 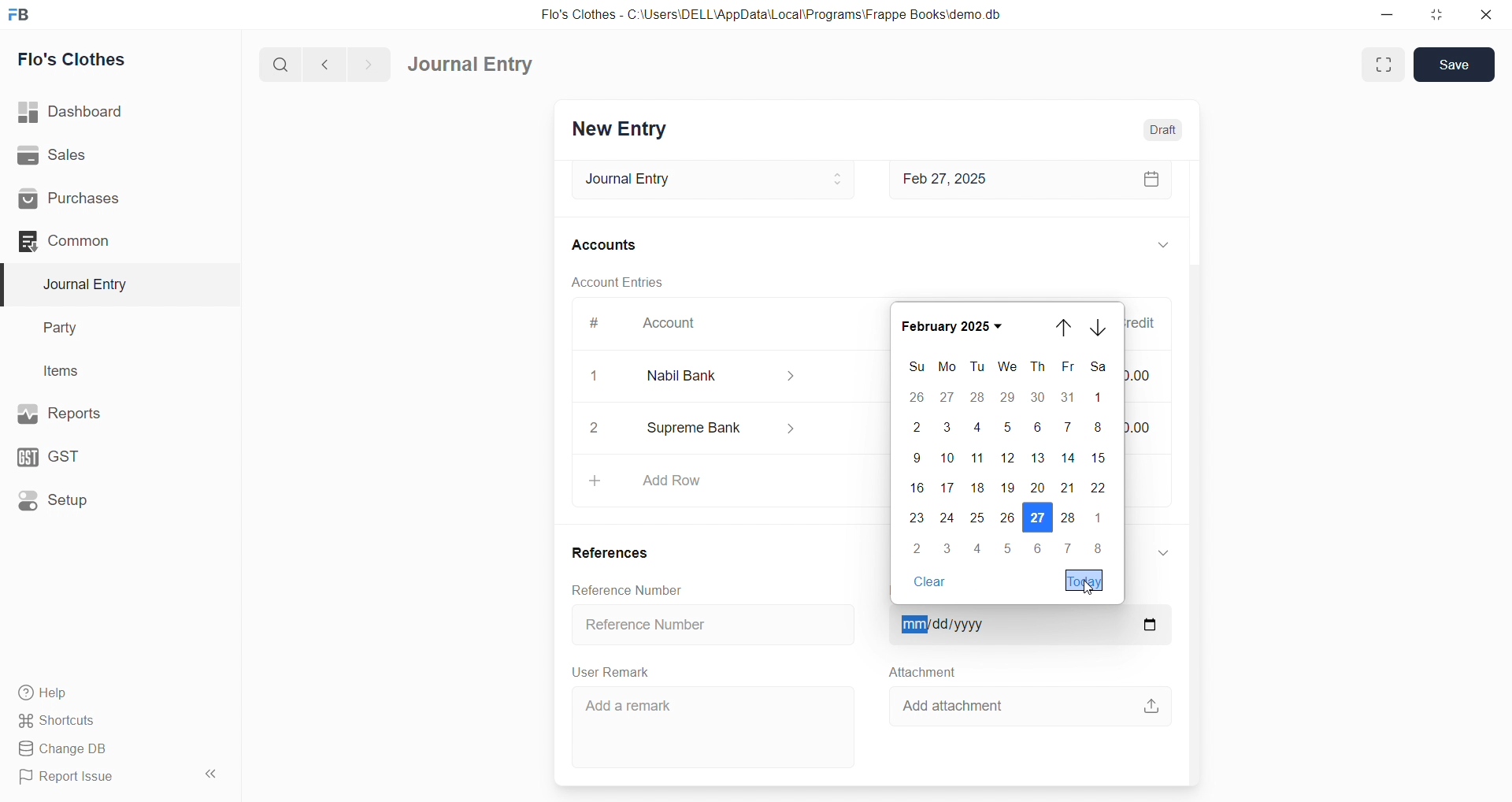 What do you see at coordinates (1067, 428) in the screenshot?
I see `7` at bounding box center [1067, 428].